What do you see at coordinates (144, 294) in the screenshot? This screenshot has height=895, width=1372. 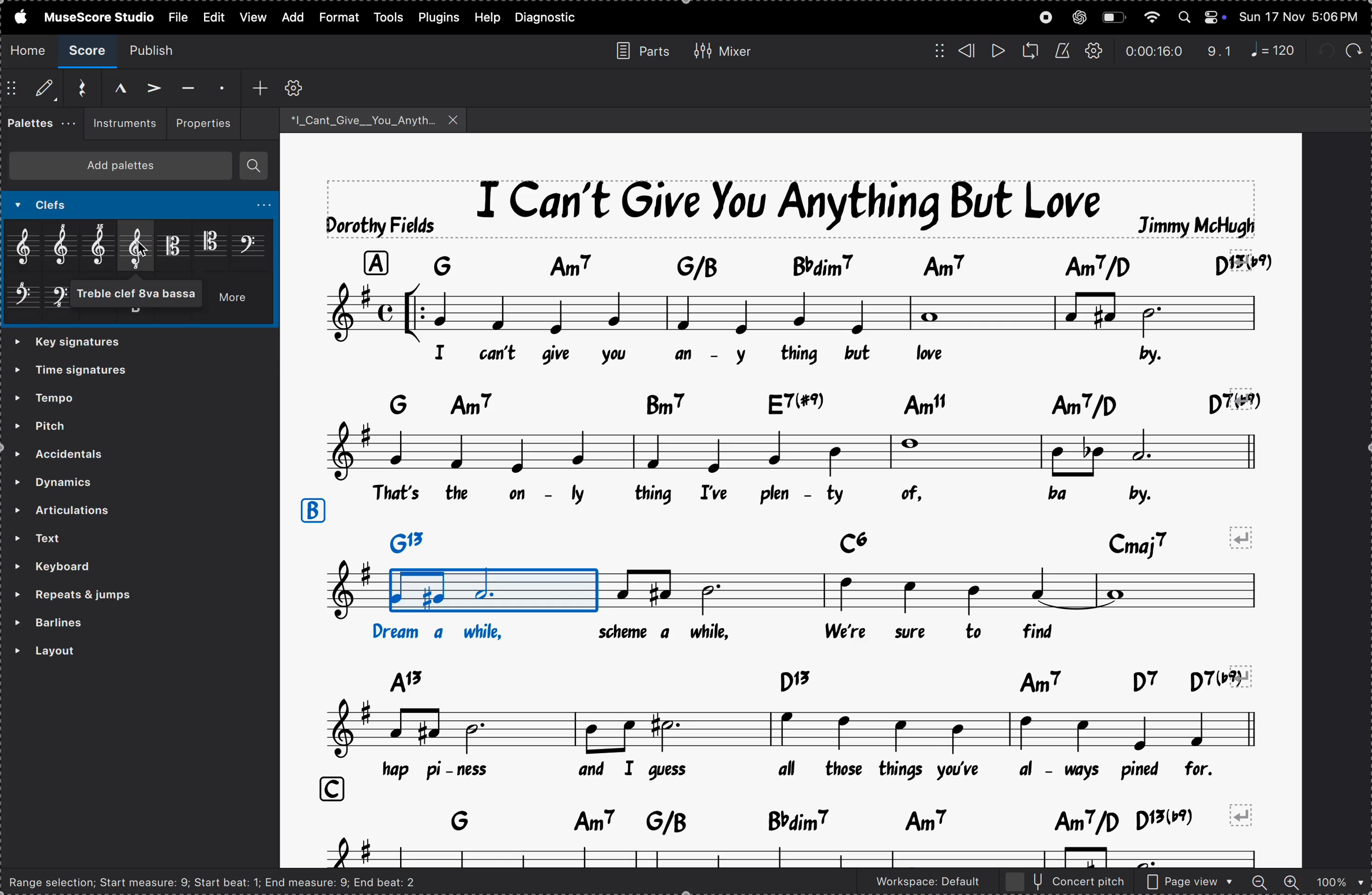 I see `treble clef 8va bassa` at bounding box center [144, 294].